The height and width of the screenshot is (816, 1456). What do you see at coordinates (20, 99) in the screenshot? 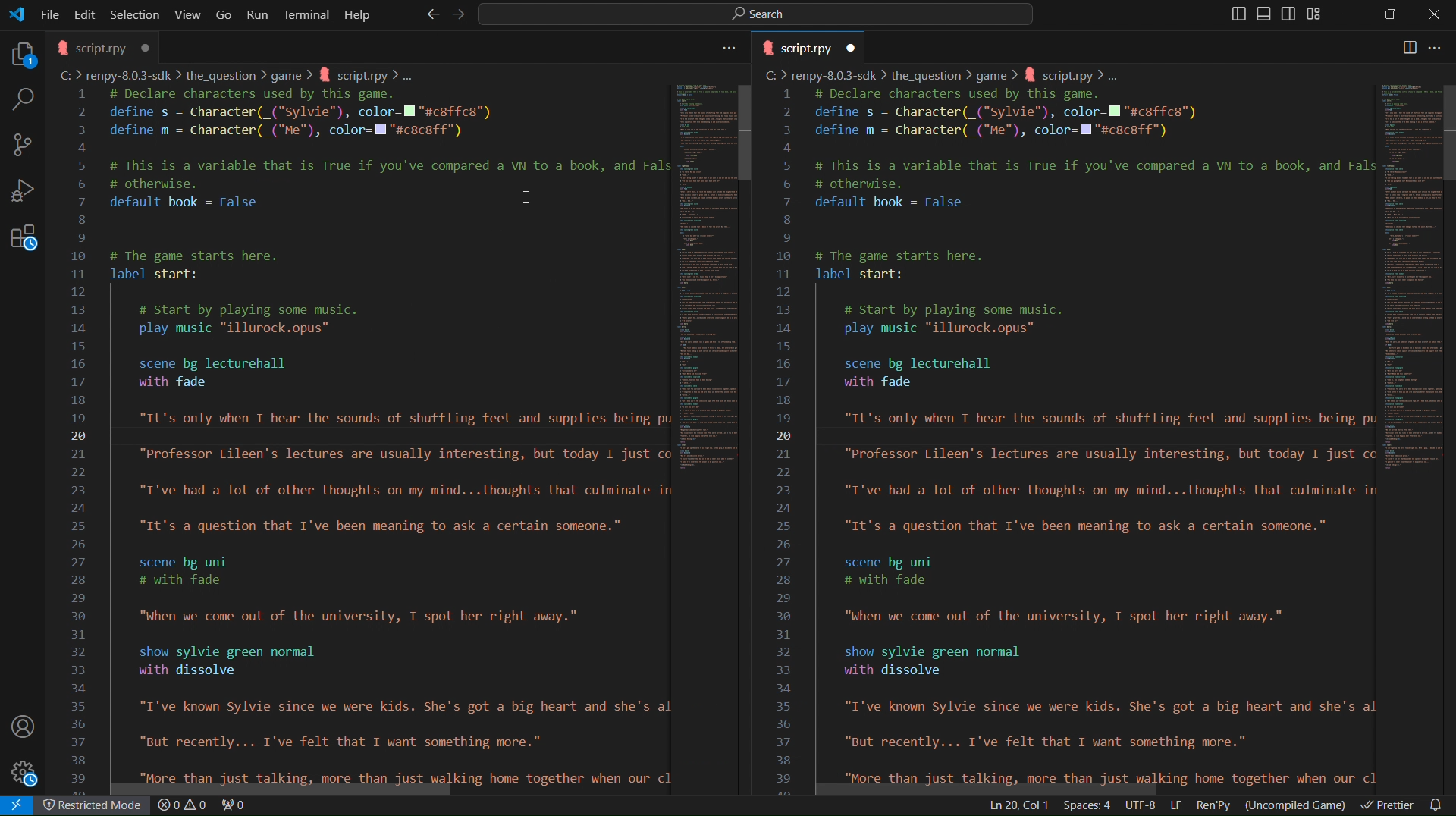
I see `Search` at bounding box center [20, 99].